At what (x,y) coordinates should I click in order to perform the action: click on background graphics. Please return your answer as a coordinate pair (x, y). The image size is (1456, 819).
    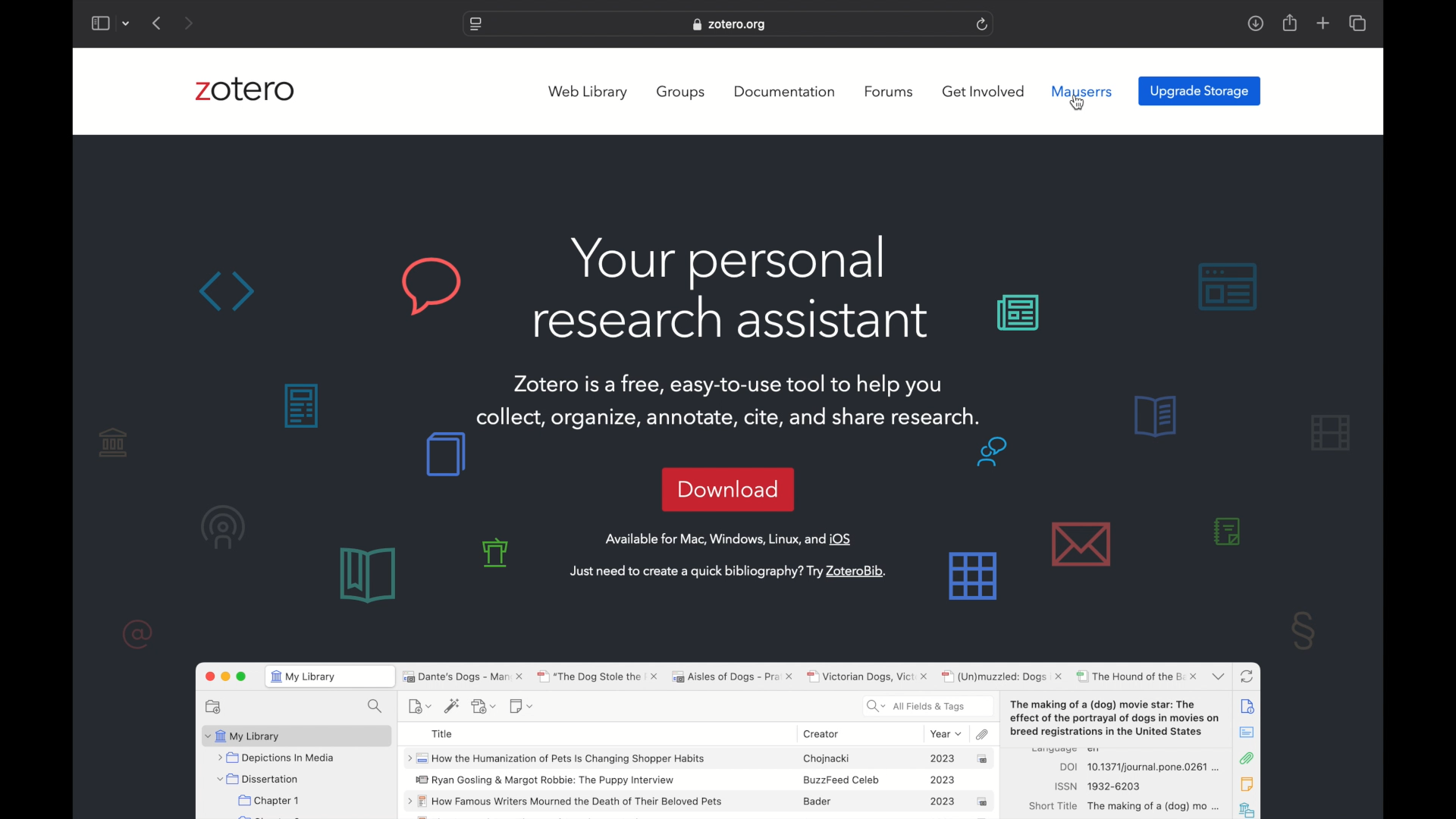
    Looking at the image, I should click on (399, 517).